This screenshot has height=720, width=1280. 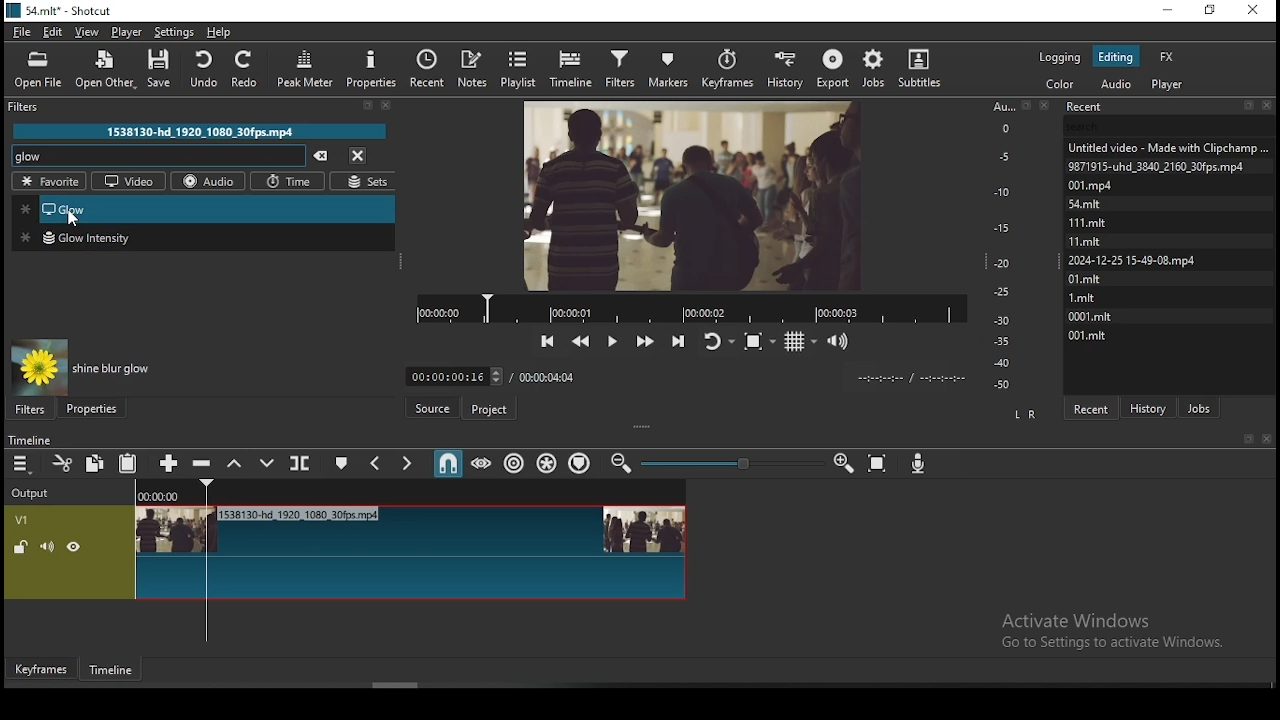 I want to click on scale, so click(x=1006, y=245).